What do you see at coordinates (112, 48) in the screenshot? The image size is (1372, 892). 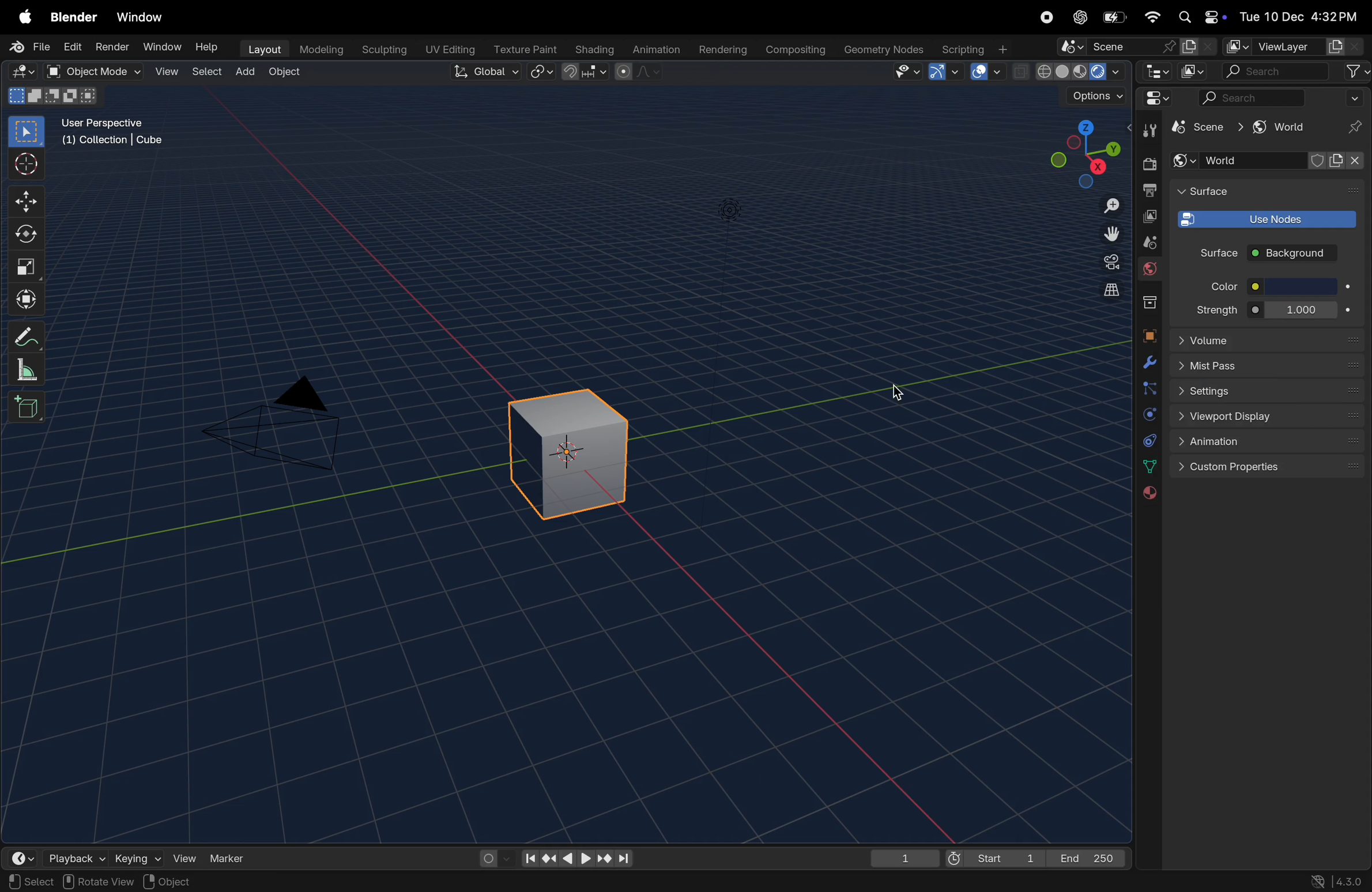 I see `render` at bounding box center [112, 48].